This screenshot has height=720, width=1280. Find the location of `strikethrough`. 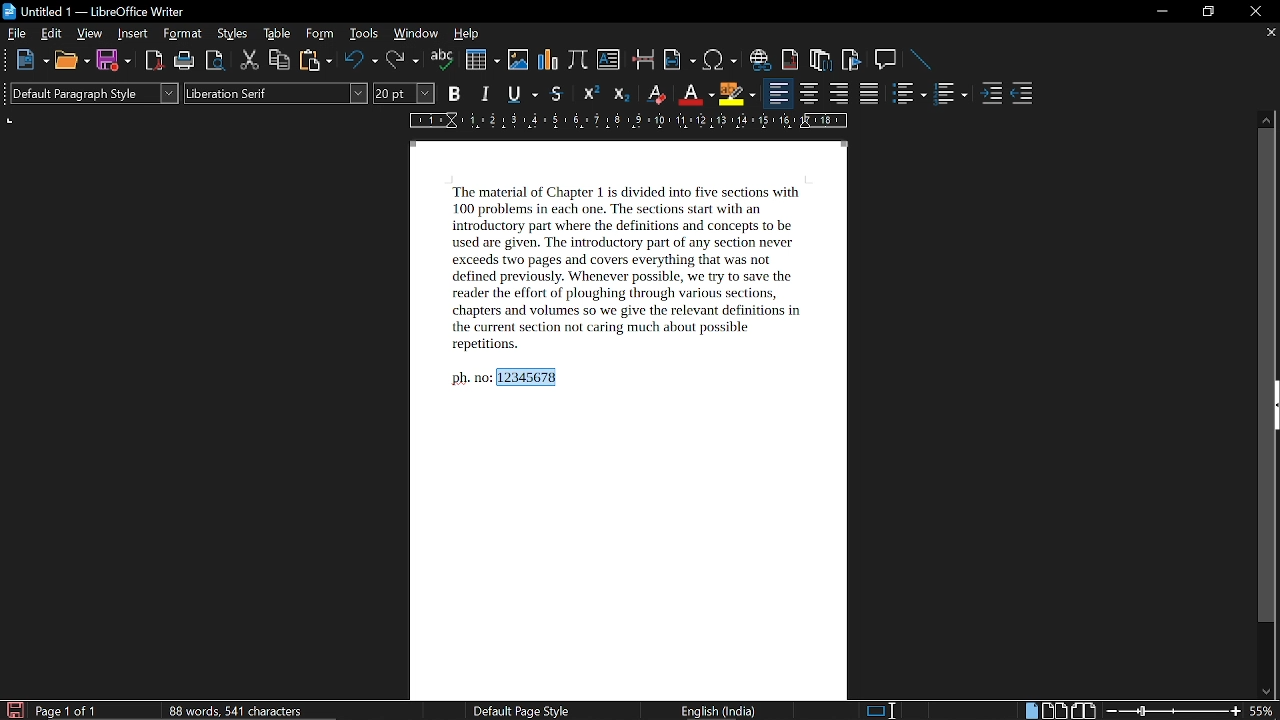

strikethrough is located at coordinates (556, 94).